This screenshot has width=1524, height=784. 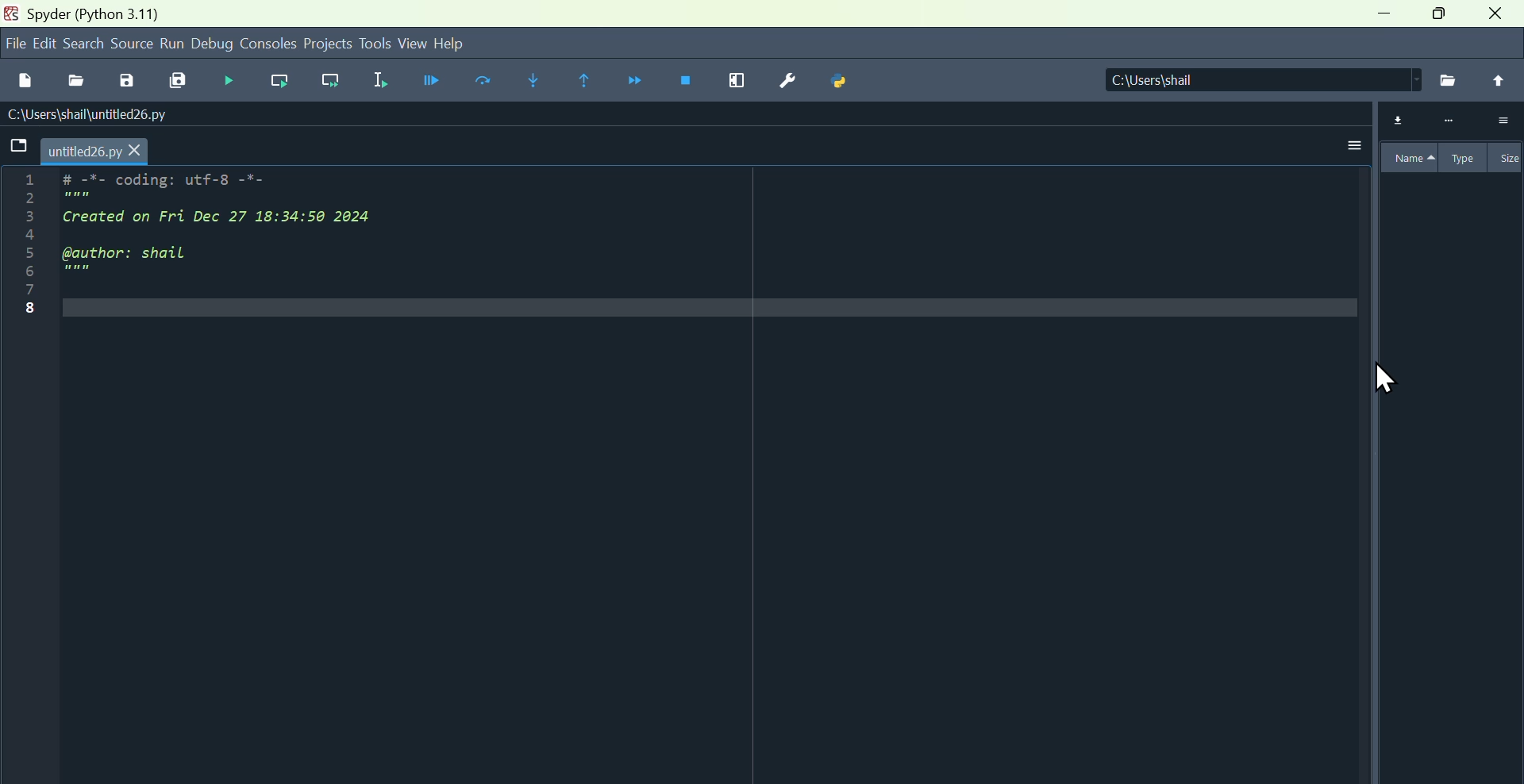 I want to click on Save all, so click(x=179, y=81).